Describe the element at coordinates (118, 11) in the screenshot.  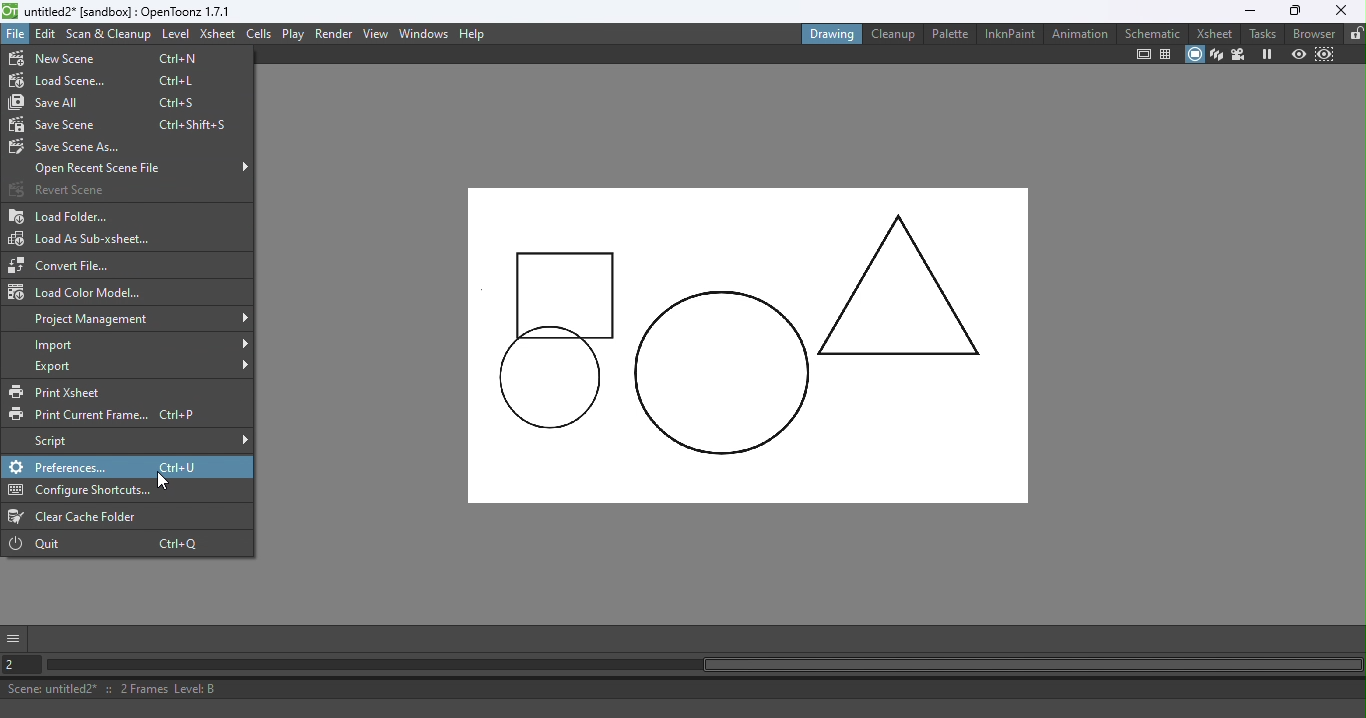
I see `untitled2* [sandbox] : OpenToonz 1.7.1` at that location.